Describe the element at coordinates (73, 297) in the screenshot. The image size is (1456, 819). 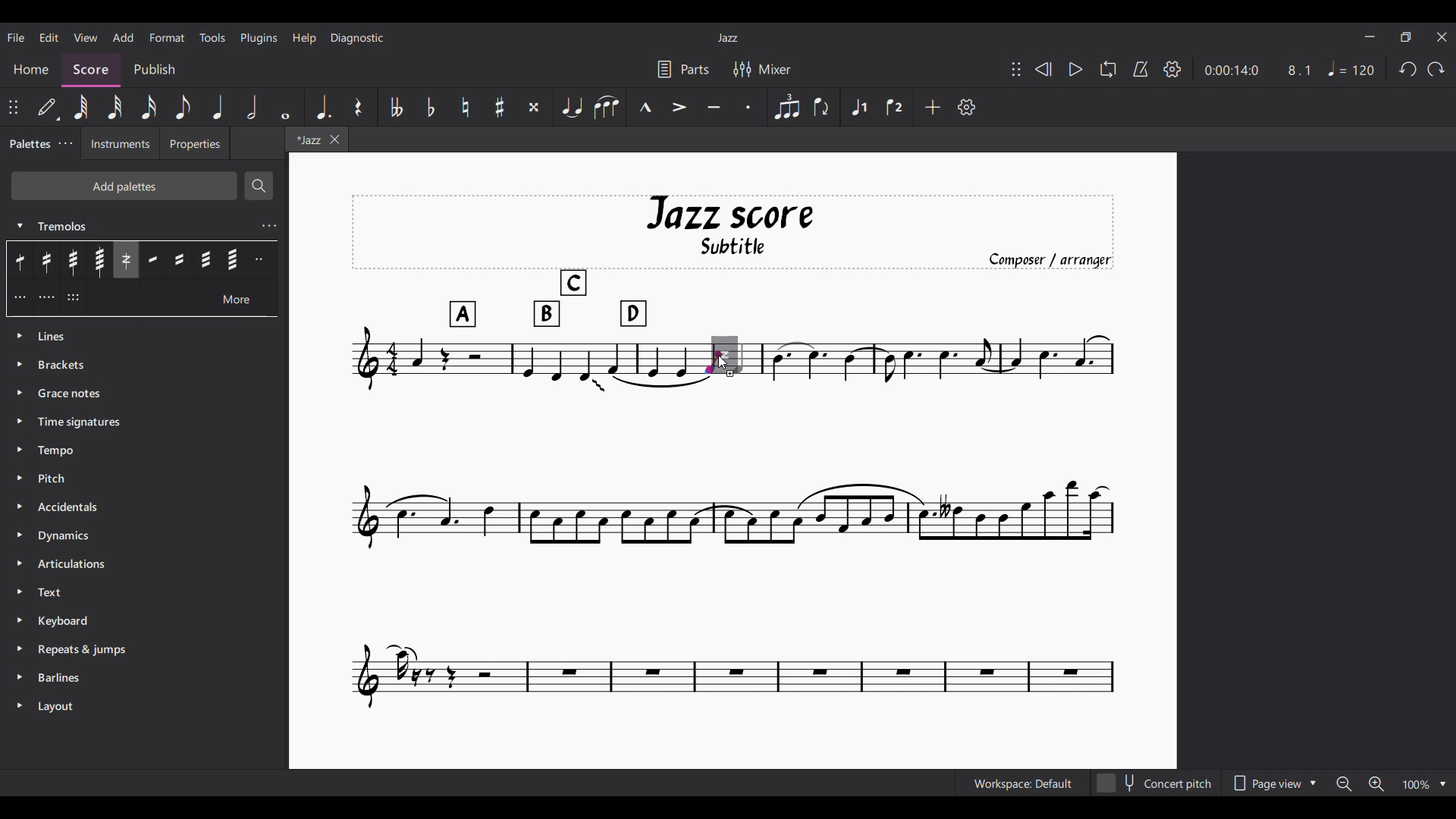
I see `Divide measured Tremolo by 6` at that location.